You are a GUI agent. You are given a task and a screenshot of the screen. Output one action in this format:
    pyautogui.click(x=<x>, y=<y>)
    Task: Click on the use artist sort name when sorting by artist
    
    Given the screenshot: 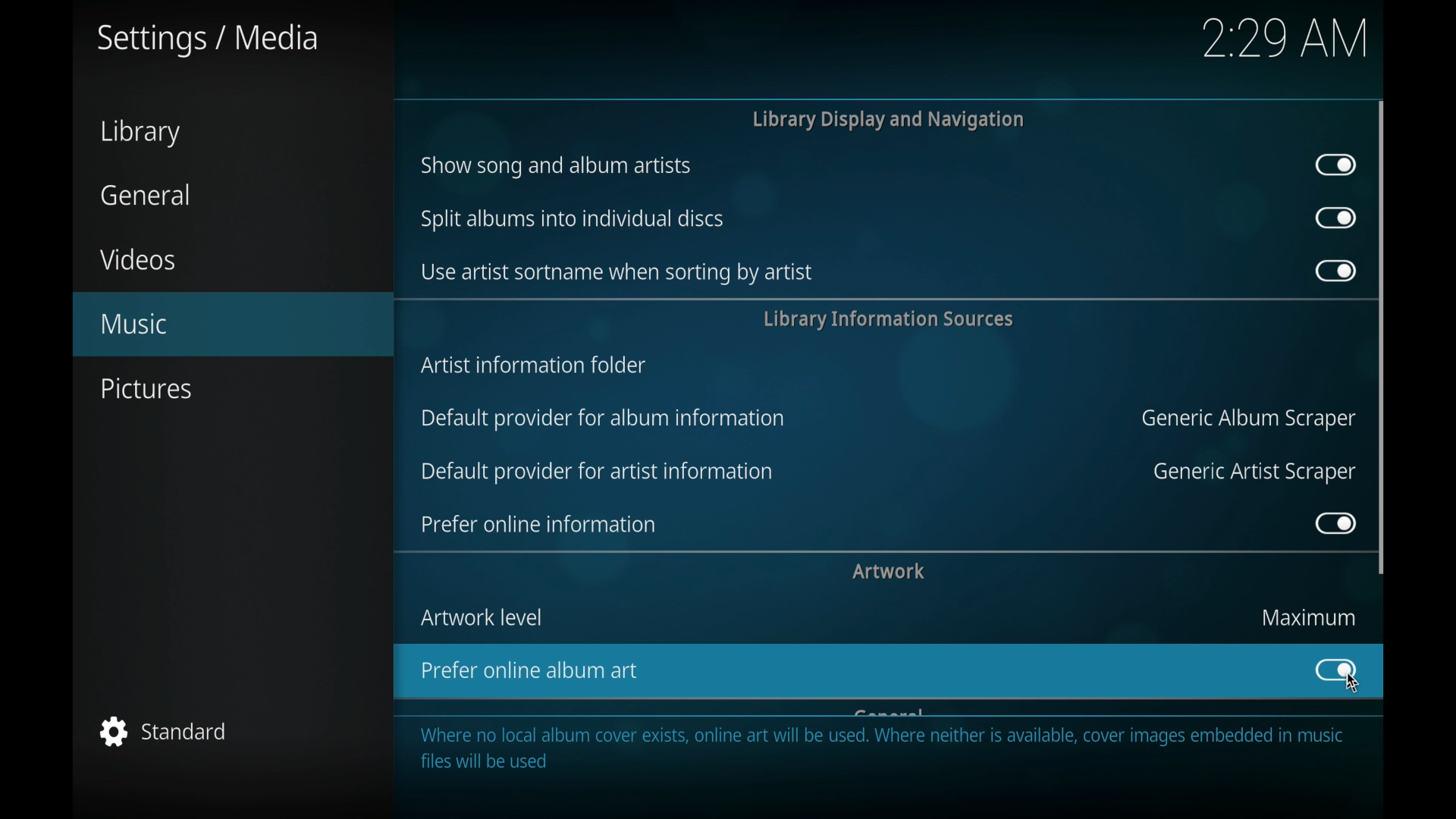 What is the action you would take?
    pyautogui.click(x=613, y=273)
    